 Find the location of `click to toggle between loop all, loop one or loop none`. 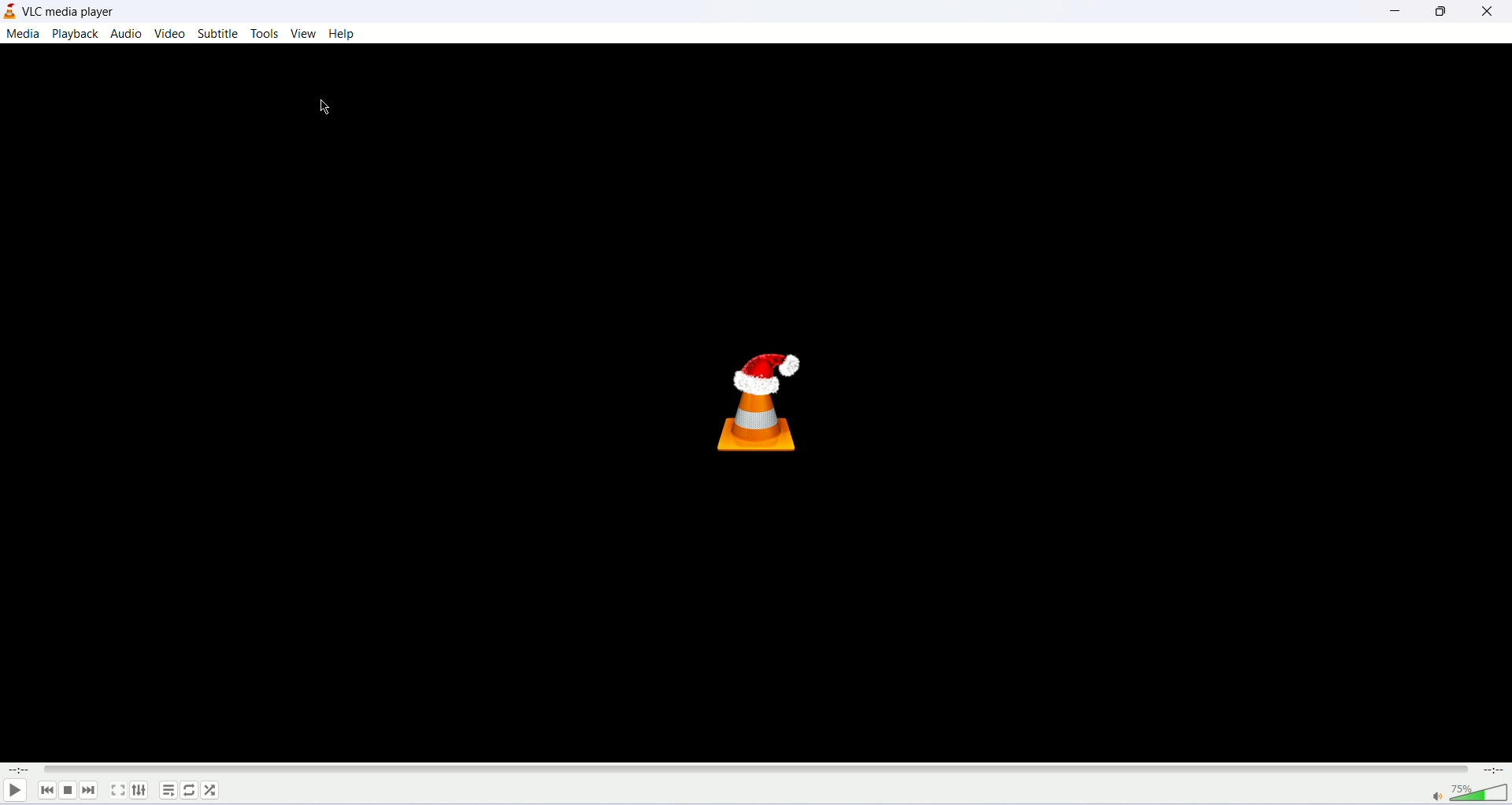

click to toggle between loop all, loop one or loop none is located at coordinates (190, 792).